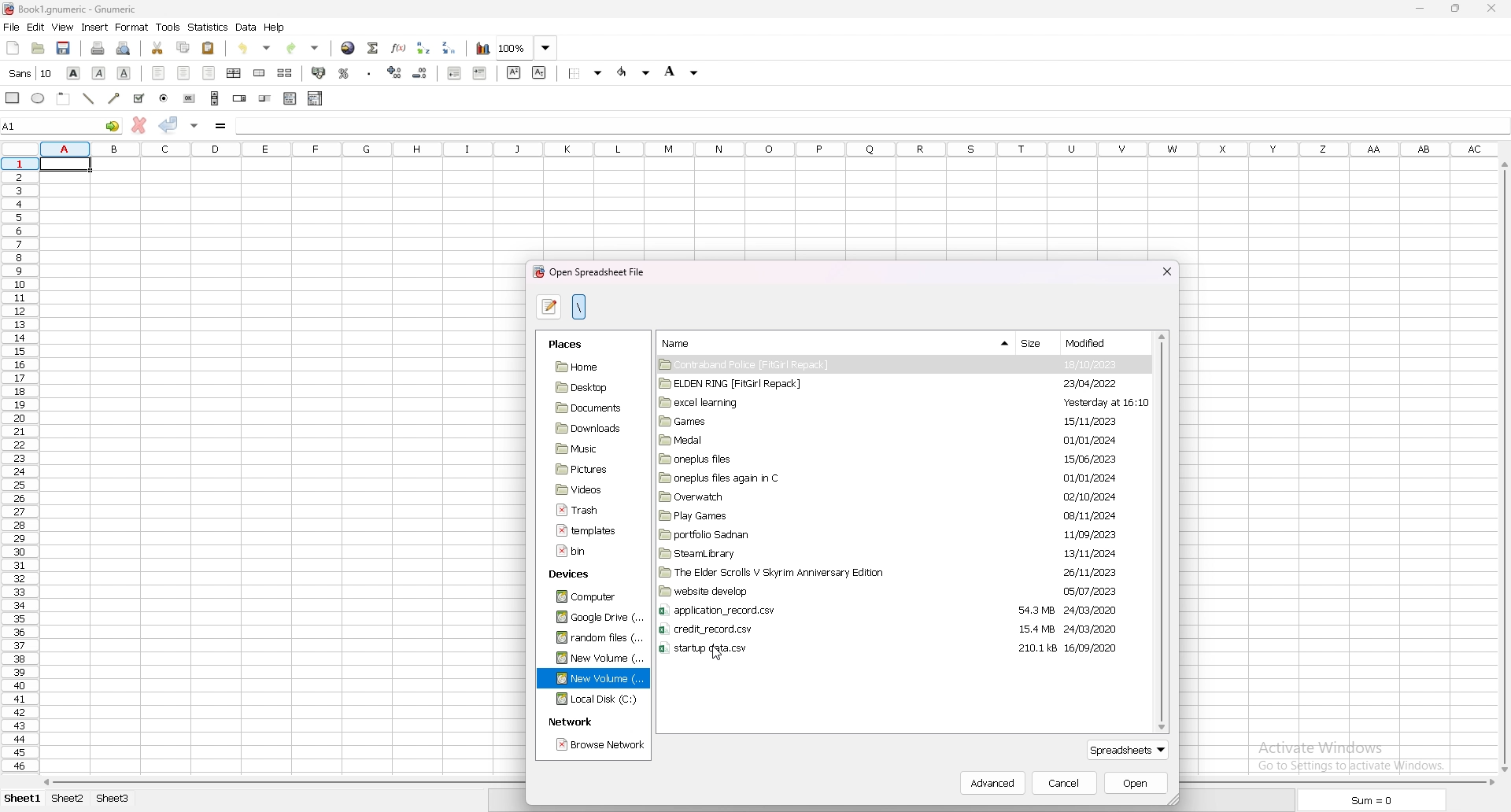 This screenshot has height=812, width=1511. What do you see at coordinates (588, 408) in the screenshot?
I see `folder` at bounding box center [588, 408].